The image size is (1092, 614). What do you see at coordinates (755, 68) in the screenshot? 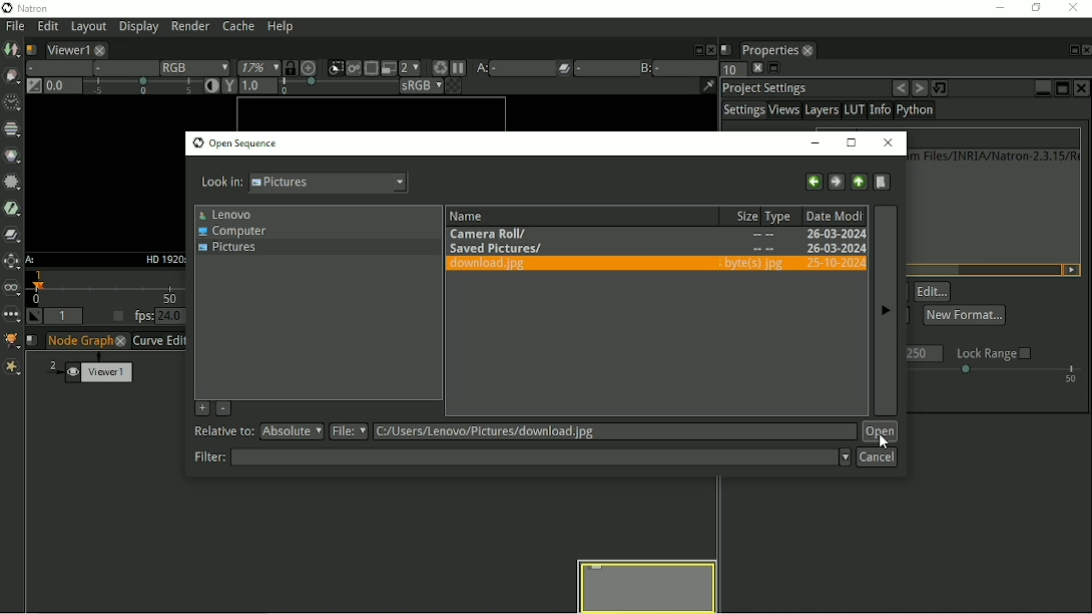
I see `close pane` at bounding box center [755, 68].